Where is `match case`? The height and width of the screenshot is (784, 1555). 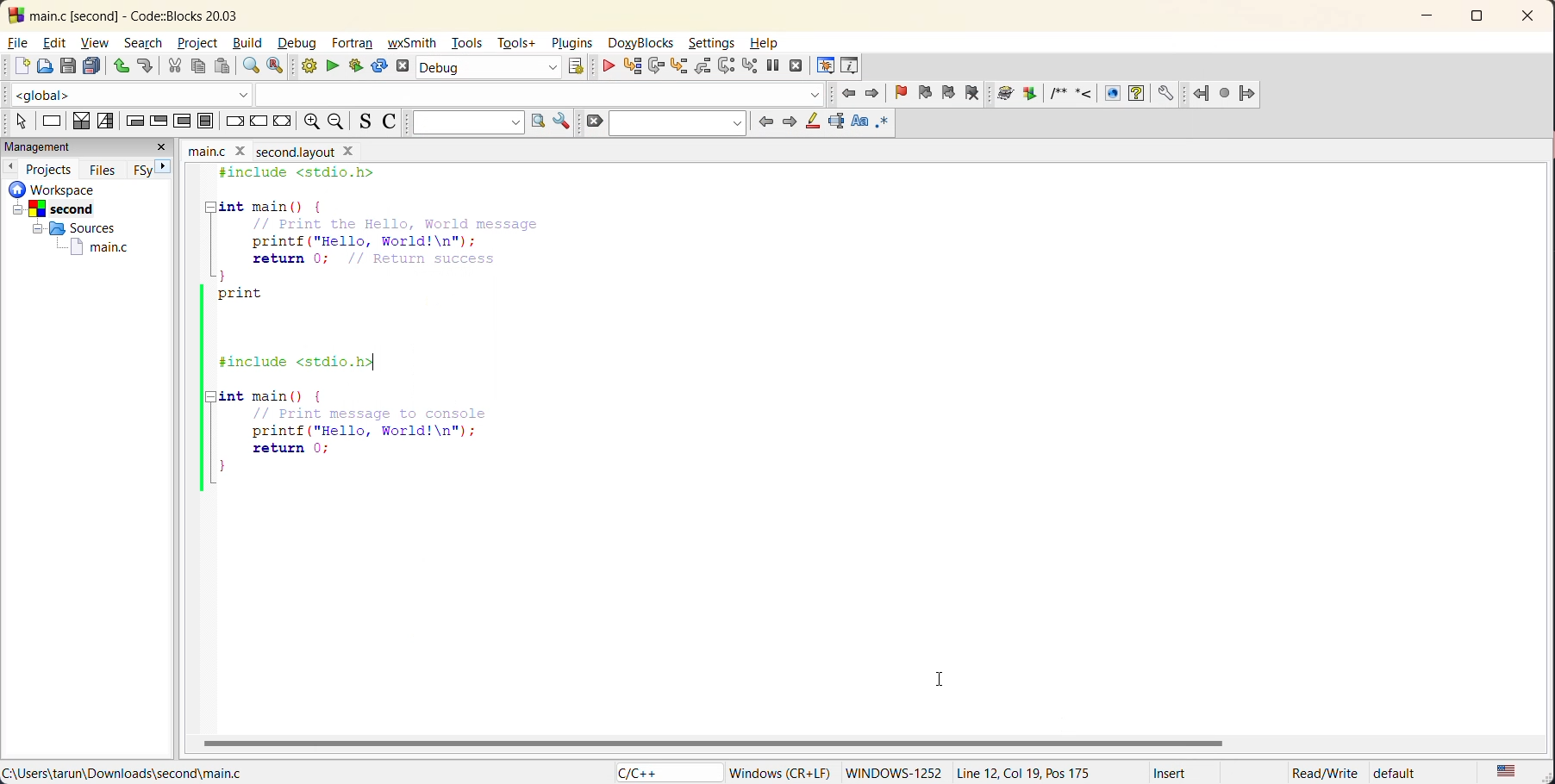 match case is located at coordinates (858, 122).